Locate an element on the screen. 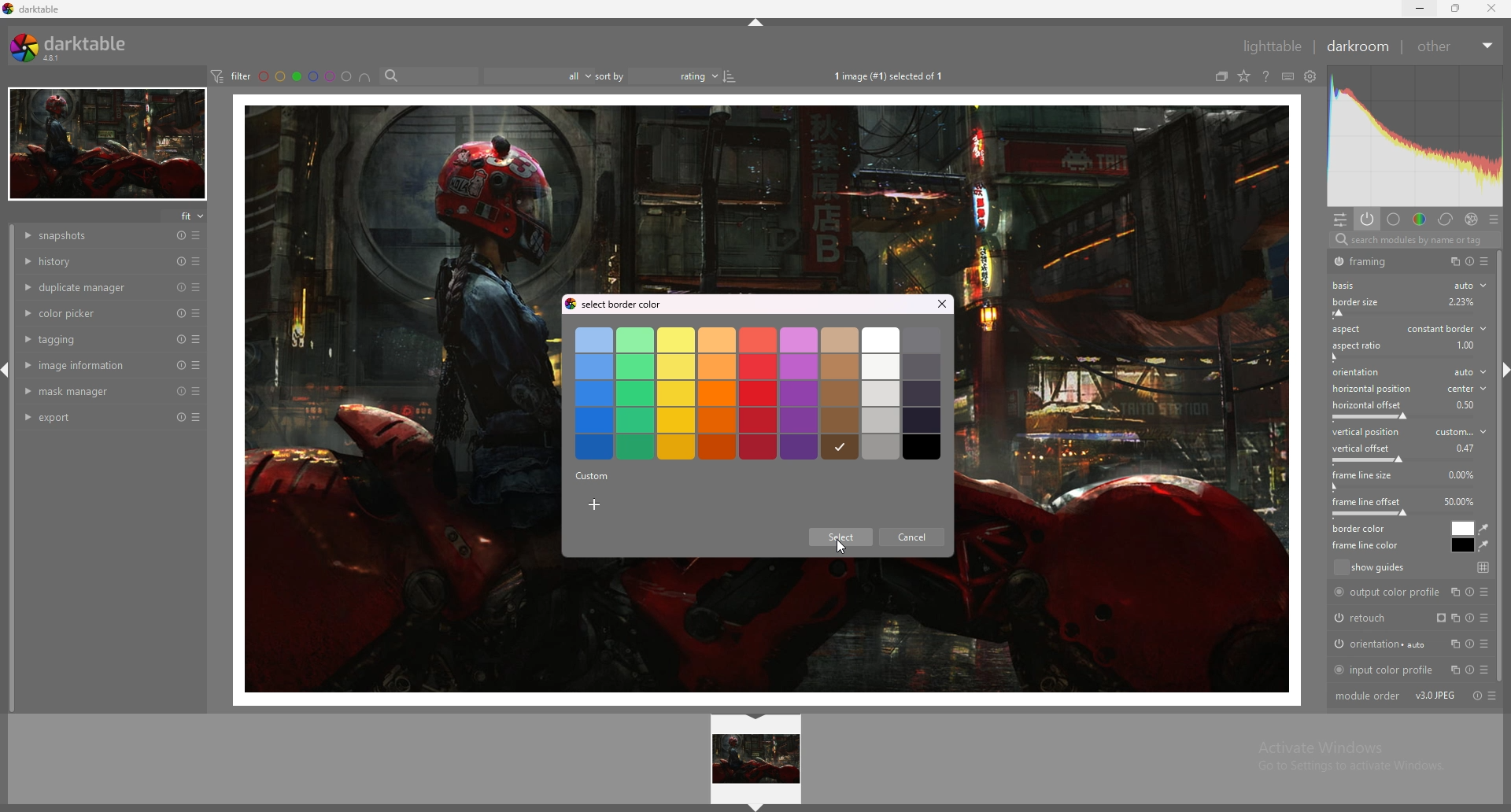  presets is located at coordinates (197, 365).